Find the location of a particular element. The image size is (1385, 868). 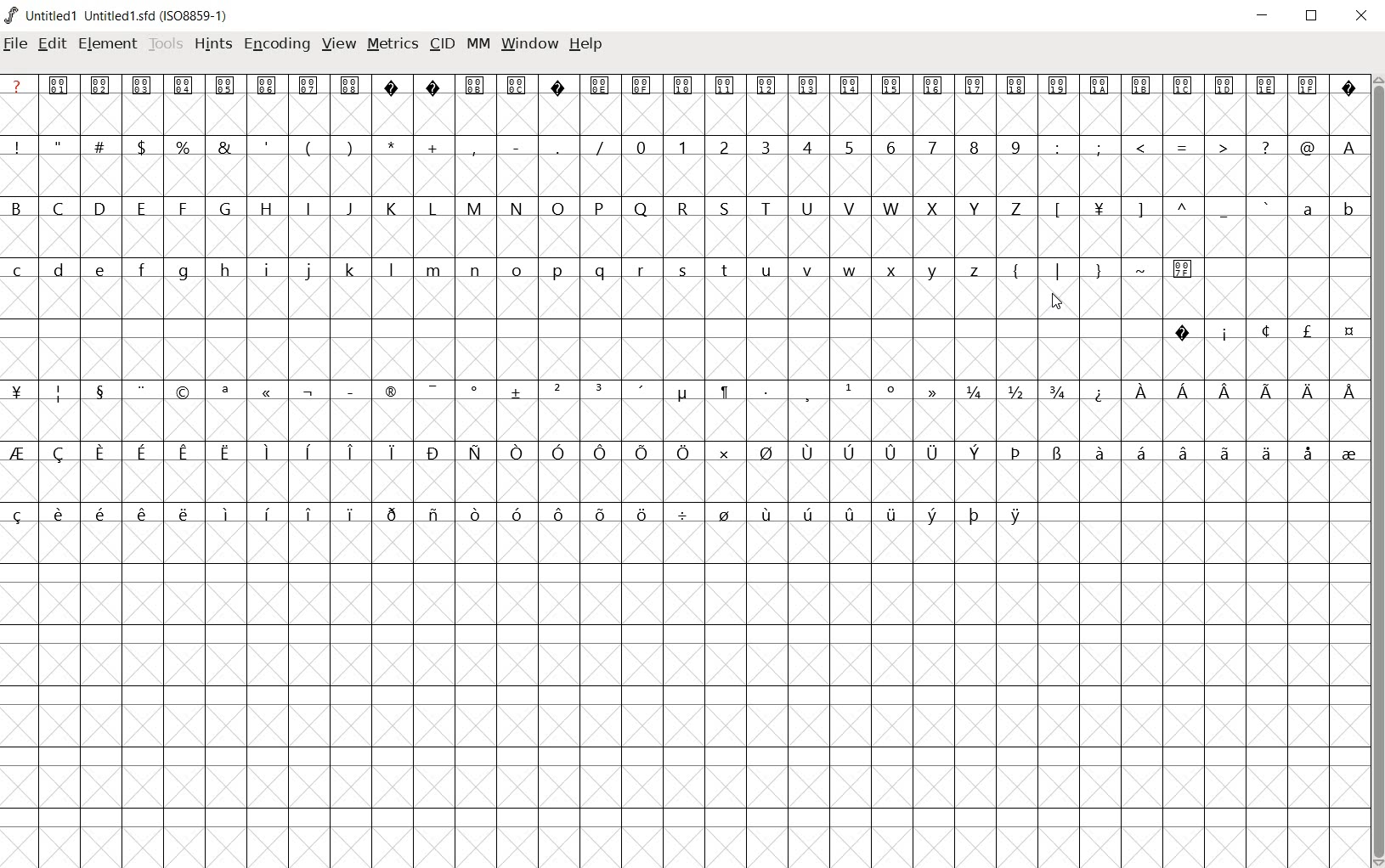

close is located at coordinates (1363, 17).